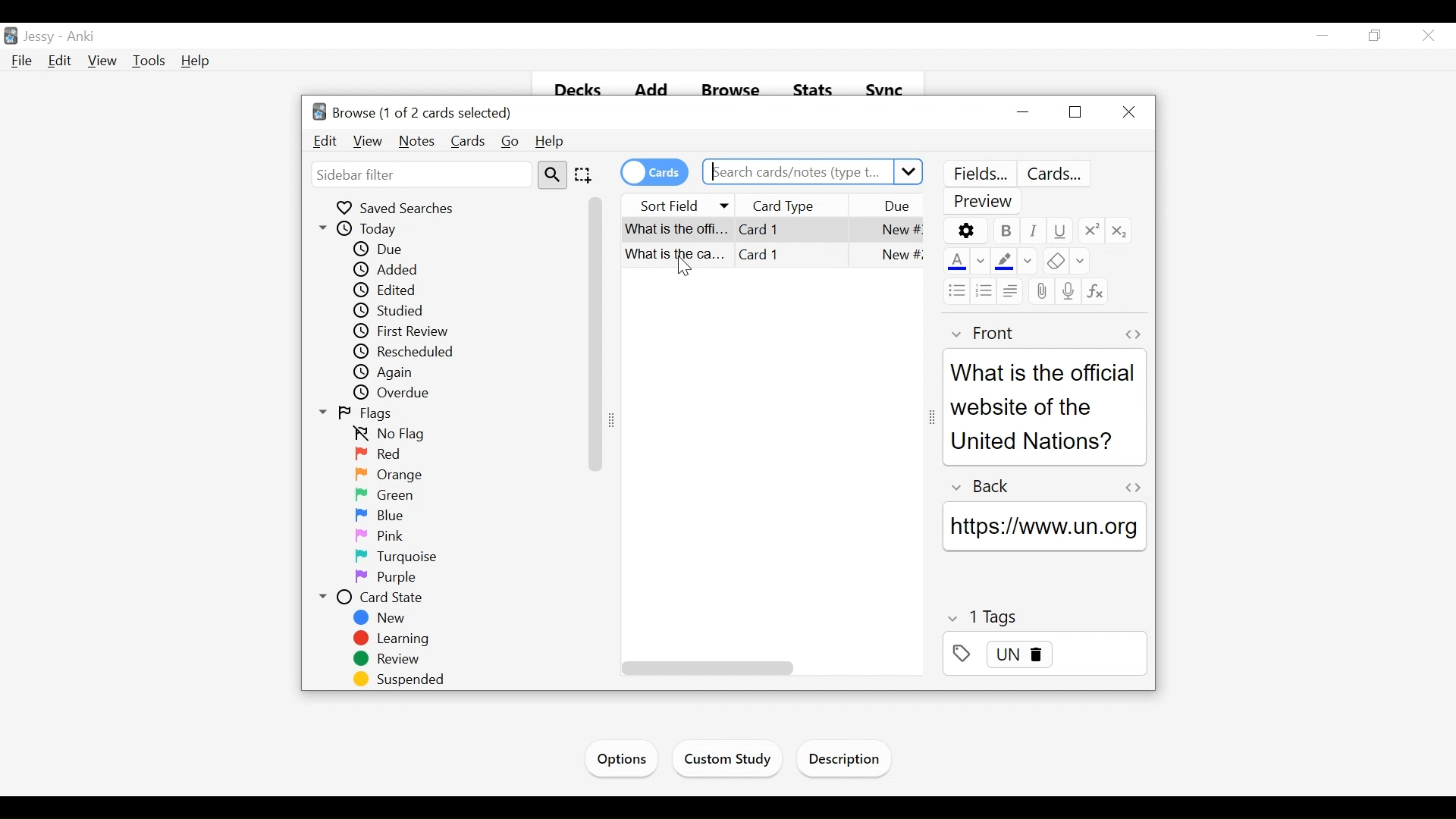 This screenshot has height=819, width=1456. I want to click on Tags Field , so click(1044, 658).